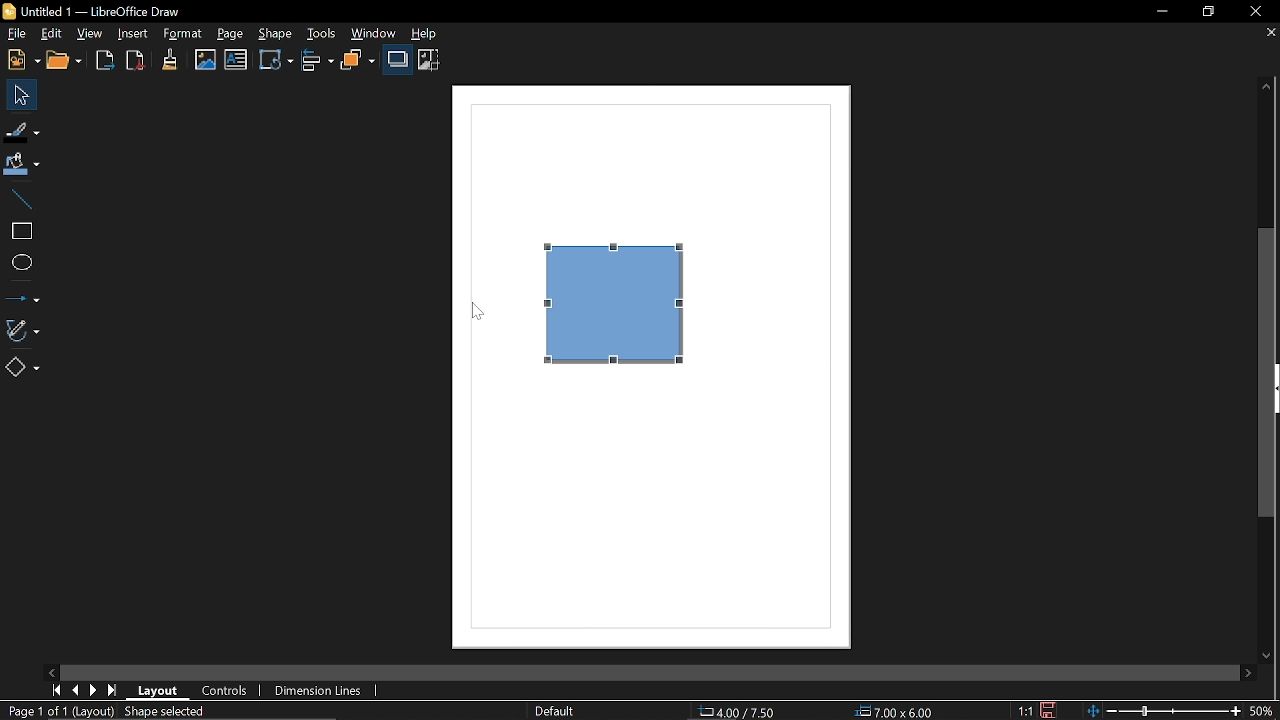 The width and height of the screenshot is (1280, 720). Describe the element at coordinates (398, 60) in the screenshot. I see `Shadow` at that location.